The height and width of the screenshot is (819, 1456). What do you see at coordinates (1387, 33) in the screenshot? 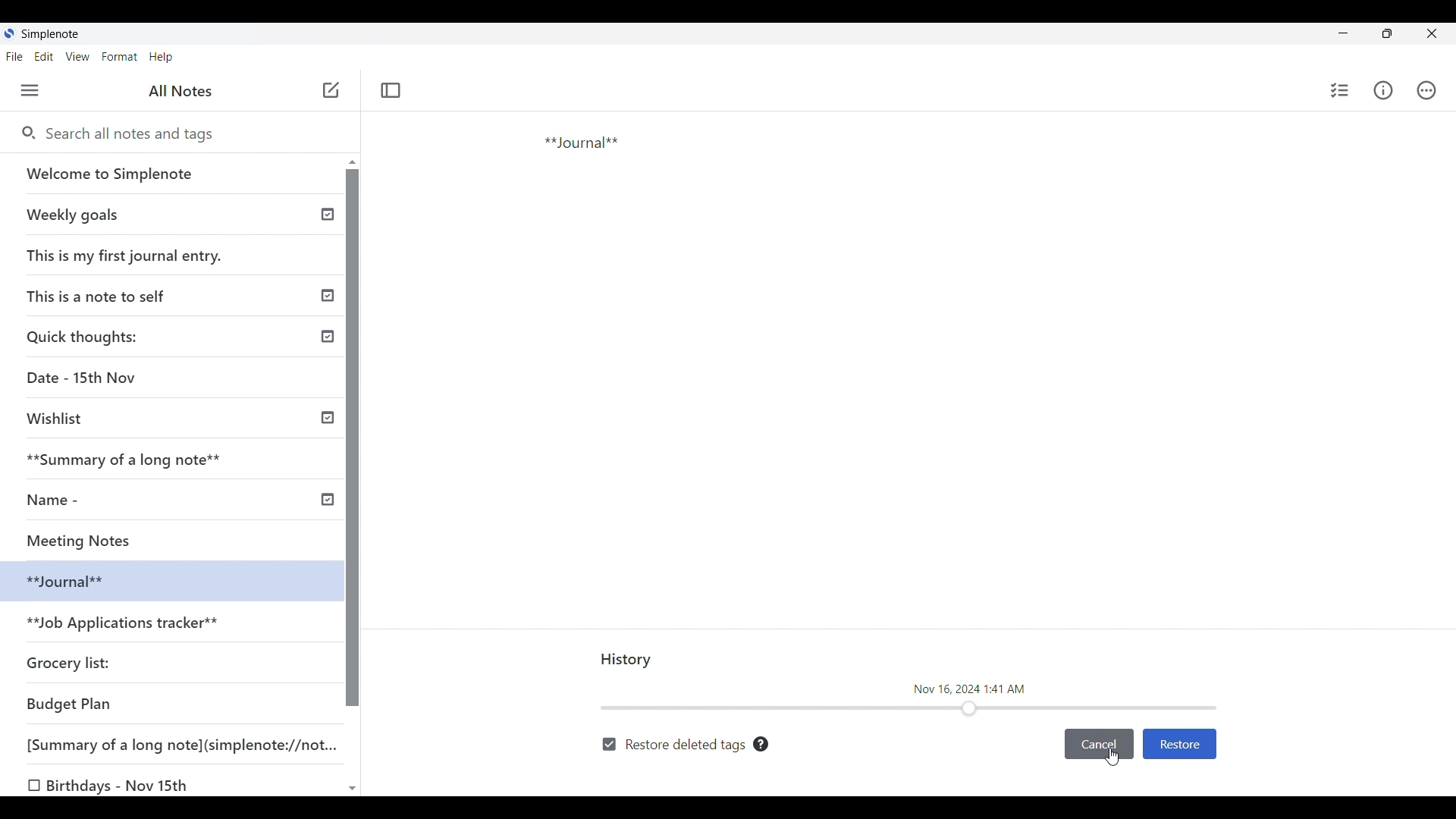
I see `Show interface in a smaller tab` at bounding box center [1387, 33].